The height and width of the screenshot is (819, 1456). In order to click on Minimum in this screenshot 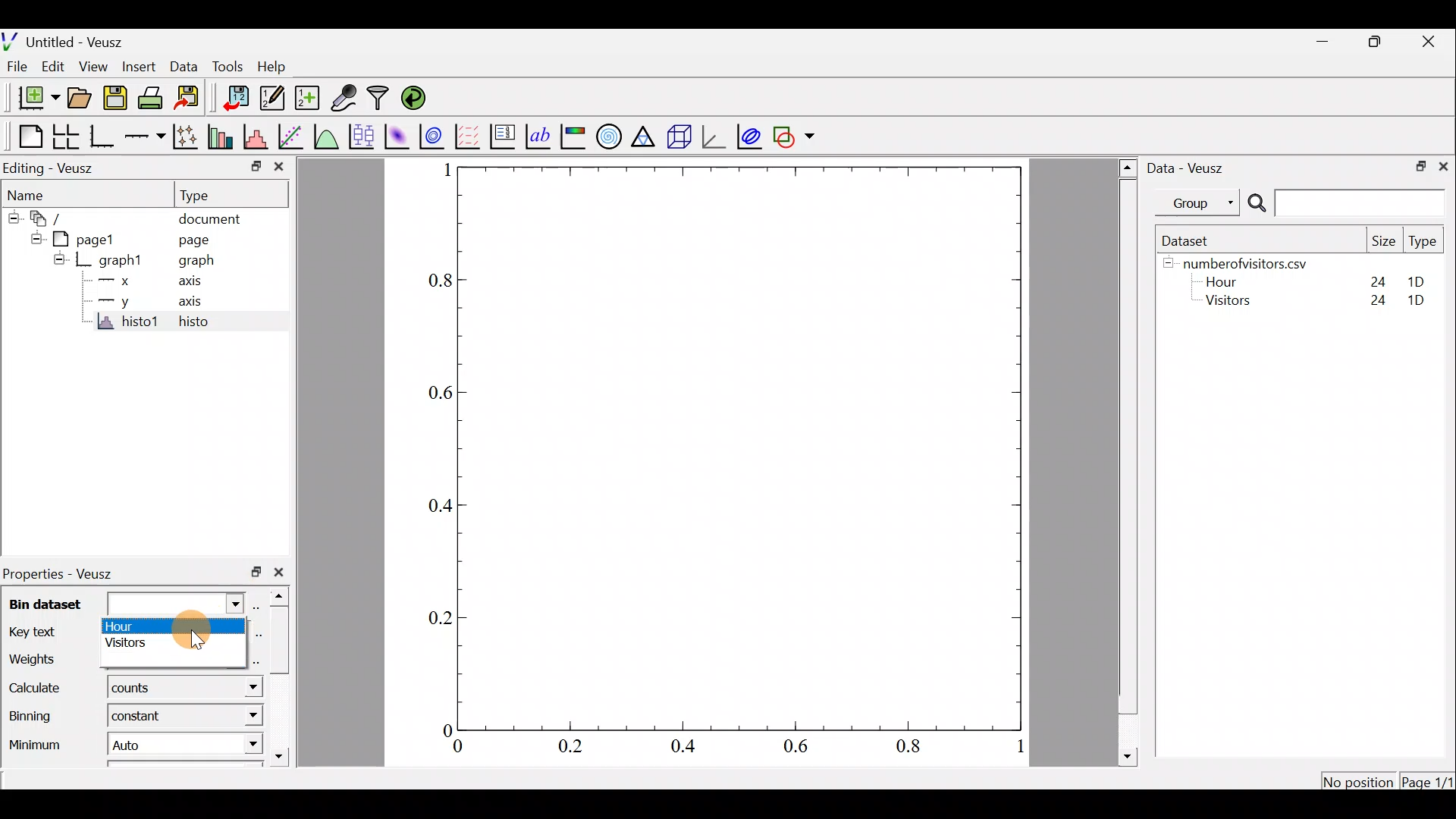, I will do `click(32, 748)`.